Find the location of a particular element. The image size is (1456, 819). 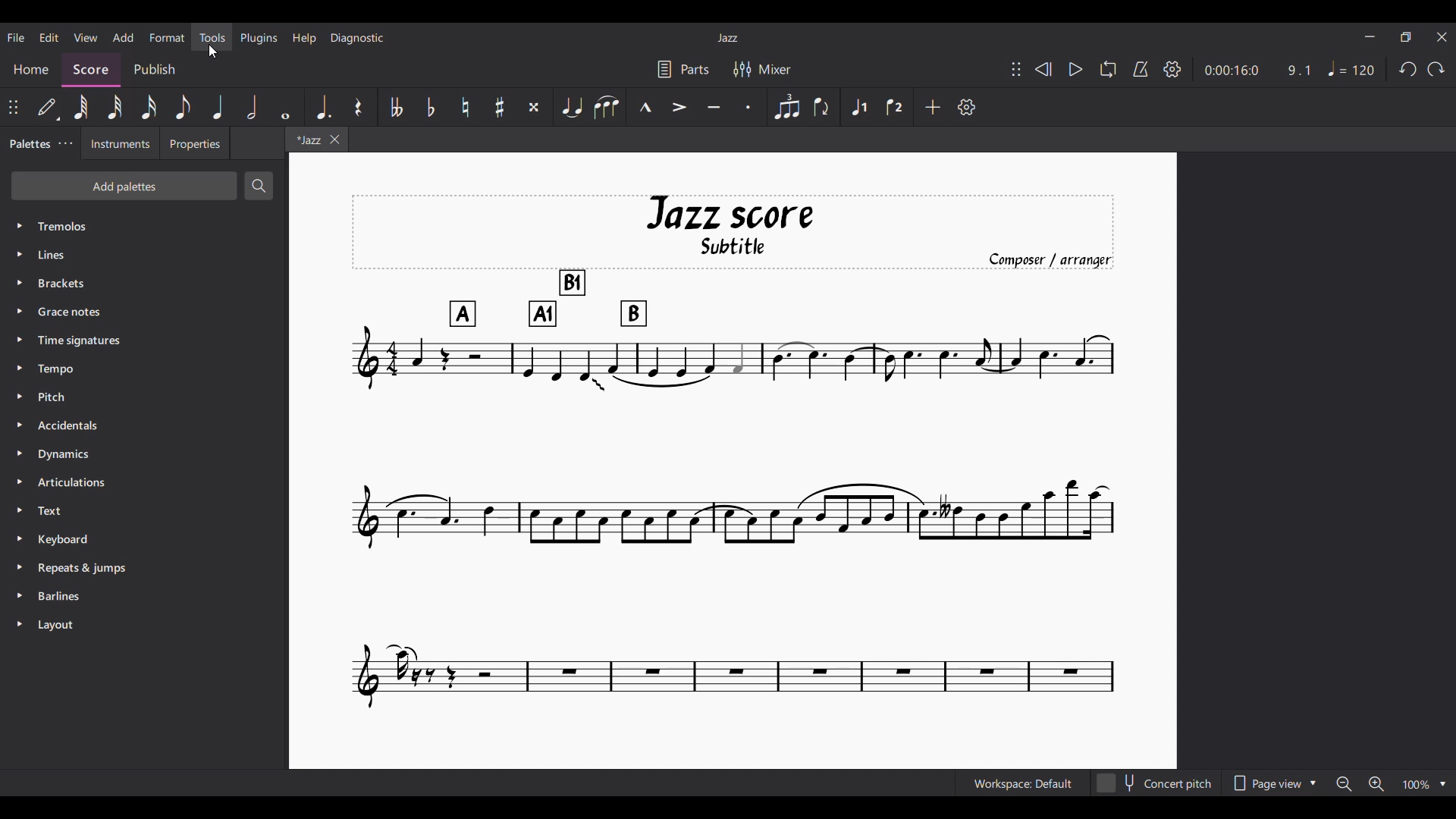

Slur is located at coordinates (607, 107).